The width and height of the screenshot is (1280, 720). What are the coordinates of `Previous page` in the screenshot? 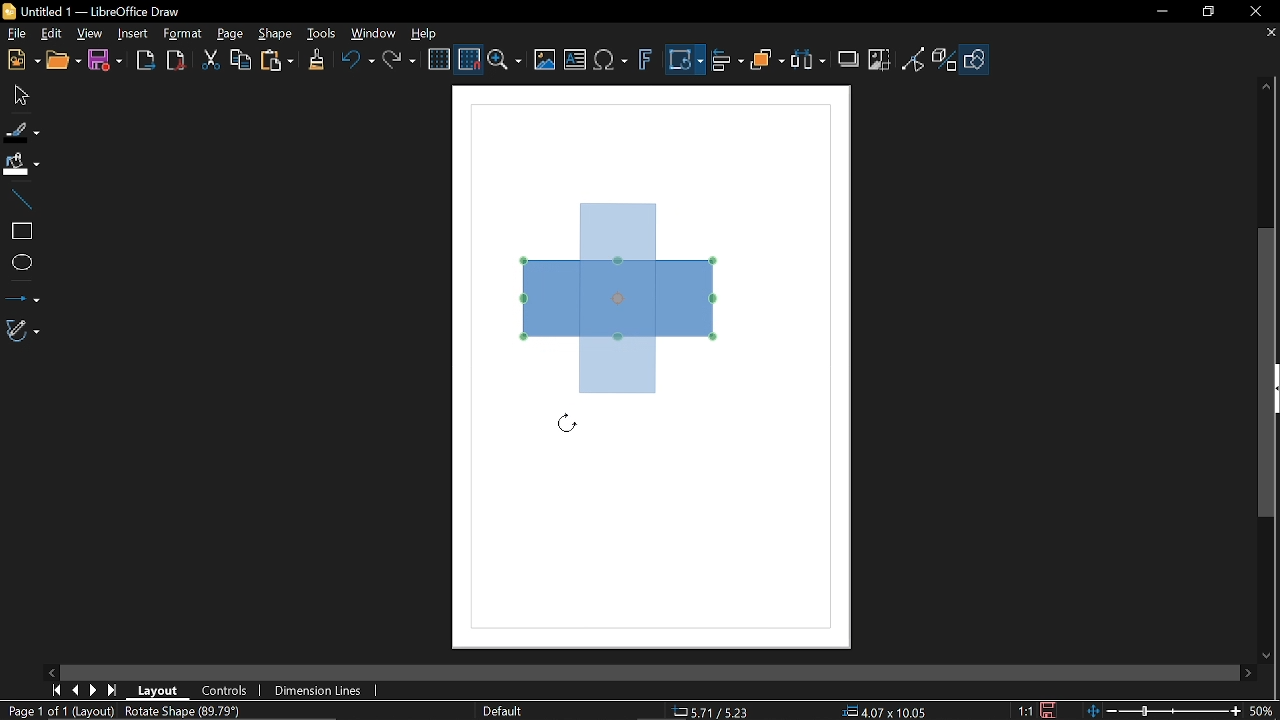 It's located at (74, 691).